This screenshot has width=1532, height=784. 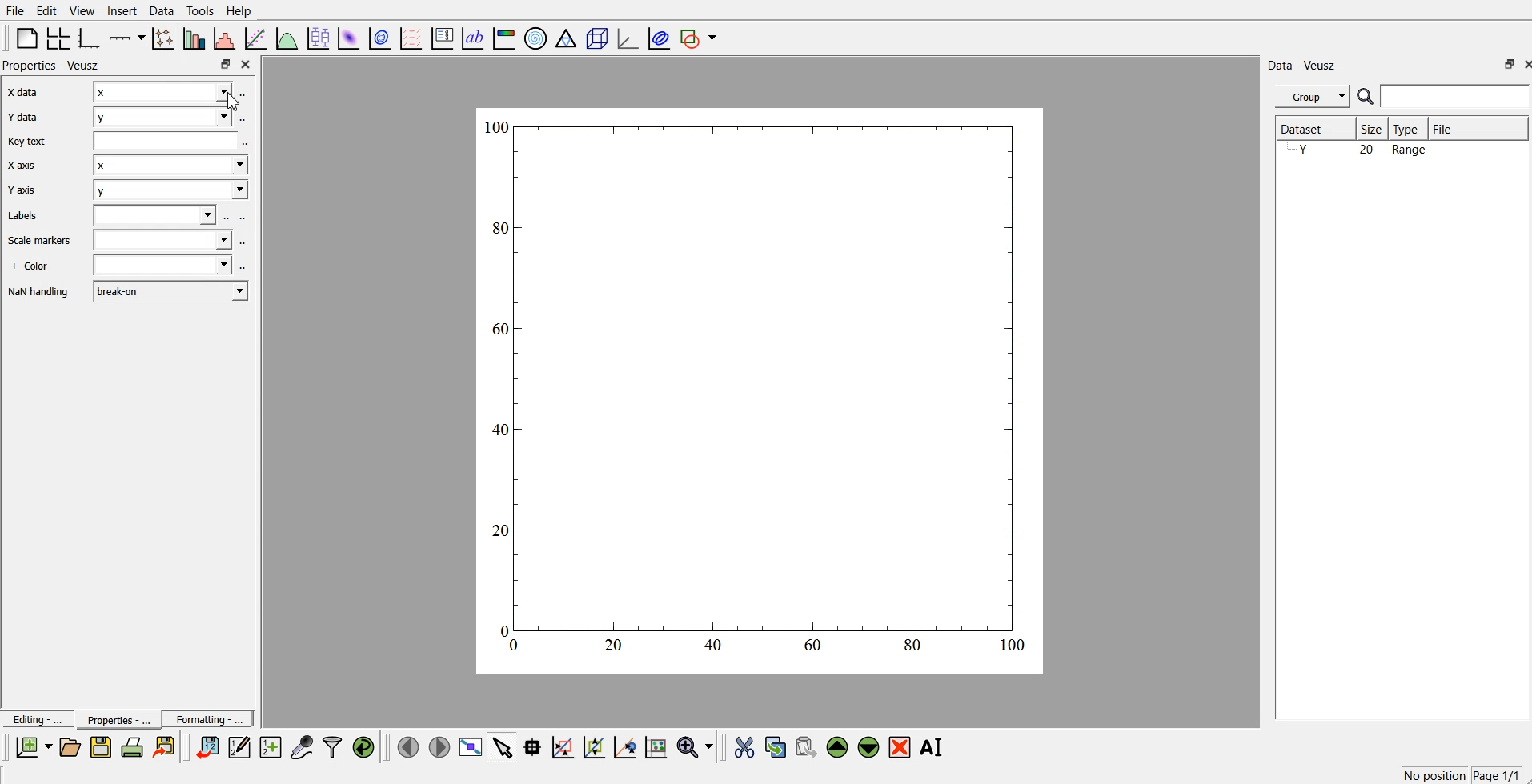 I want to click on paste, so click(x=807, y=745).